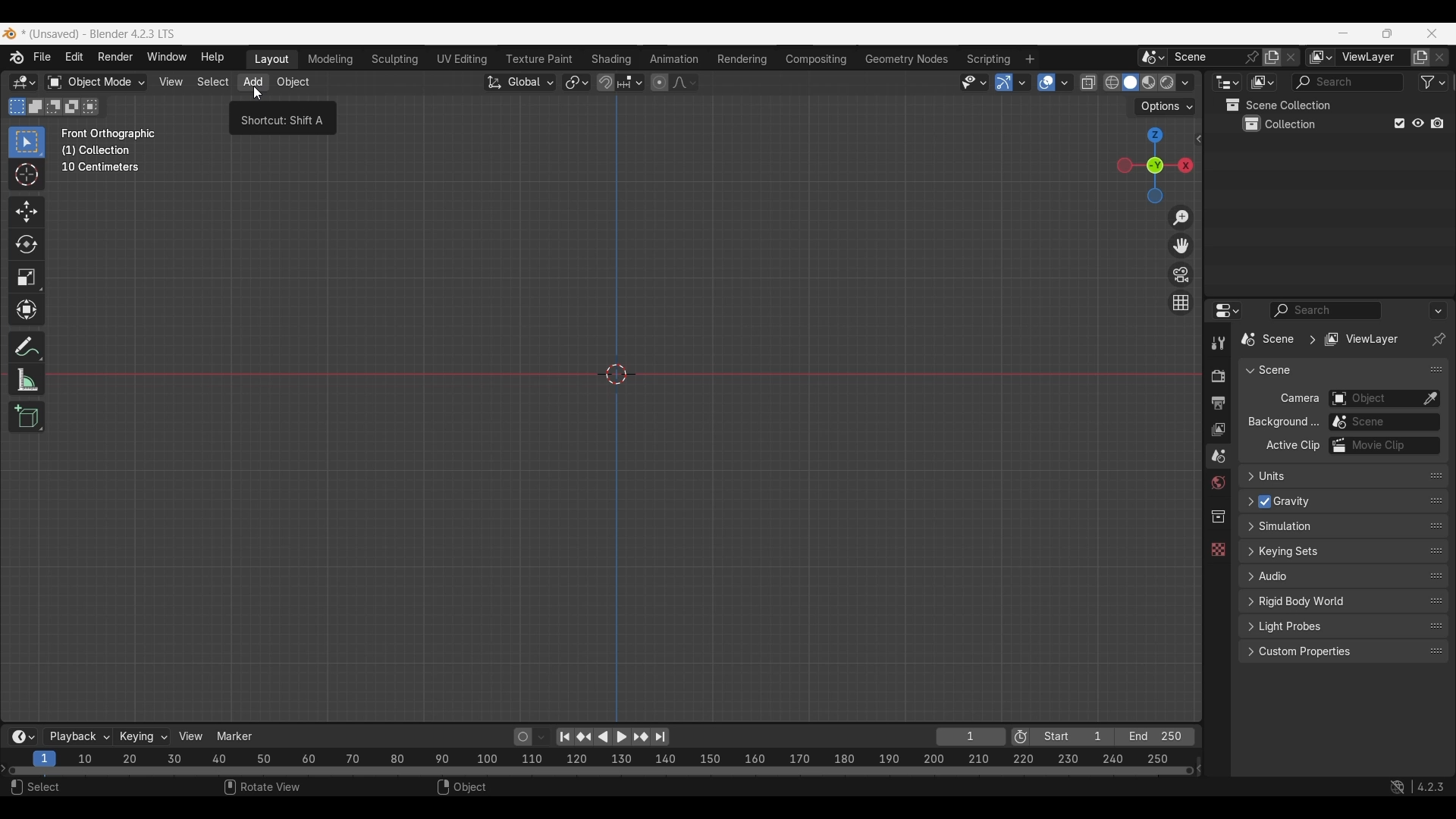 The image size is (1456, 819). Describe the element at coordinates (1436, 651) in the screenshot. I see `Change order in the list` at that location.